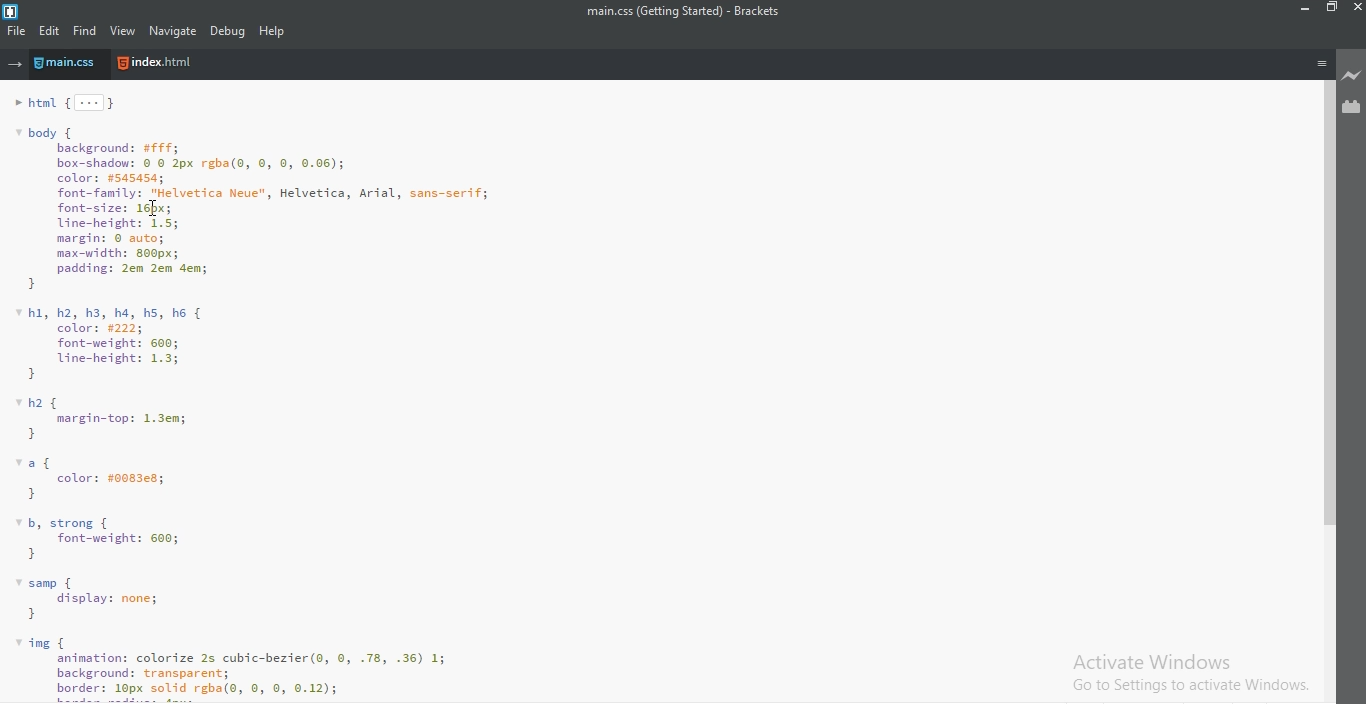  Describe the element at coordinates (151, 207) in the screenshot. I see `cursor` at that location.